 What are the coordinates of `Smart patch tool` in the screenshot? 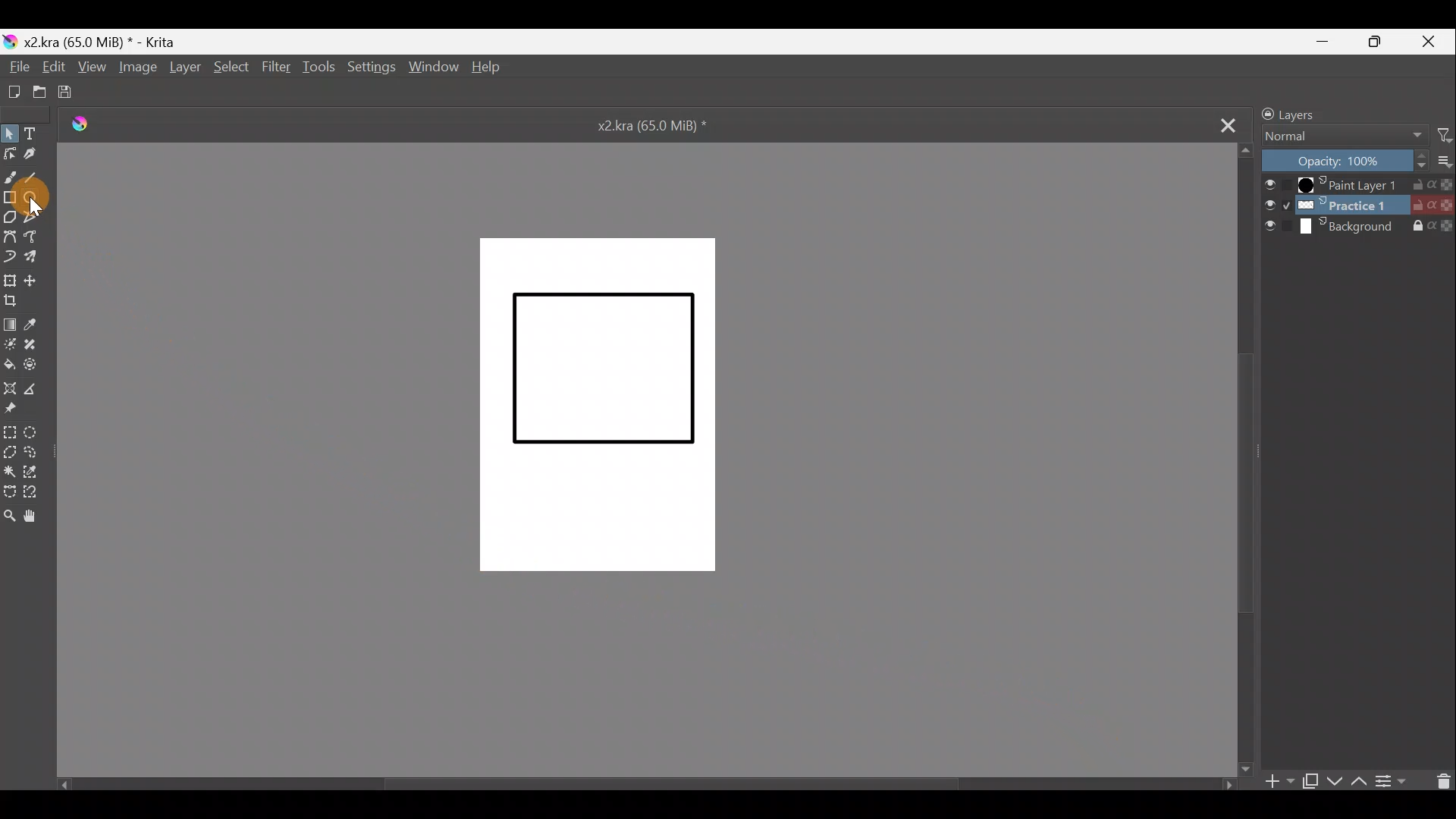 It's located at (35, 344).